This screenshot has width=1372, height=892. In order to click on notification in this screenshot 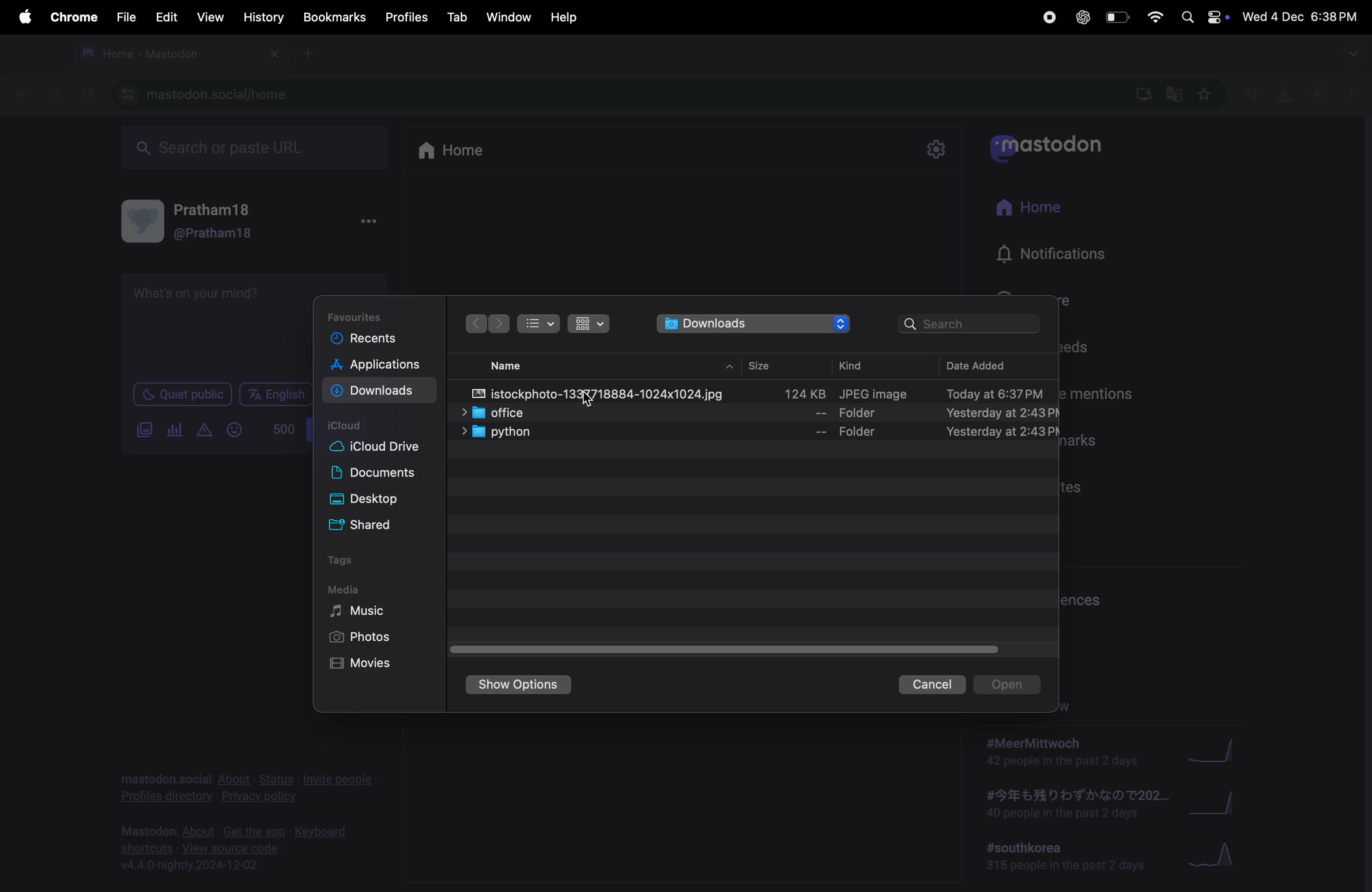, I will do `click(1061, 260)`.